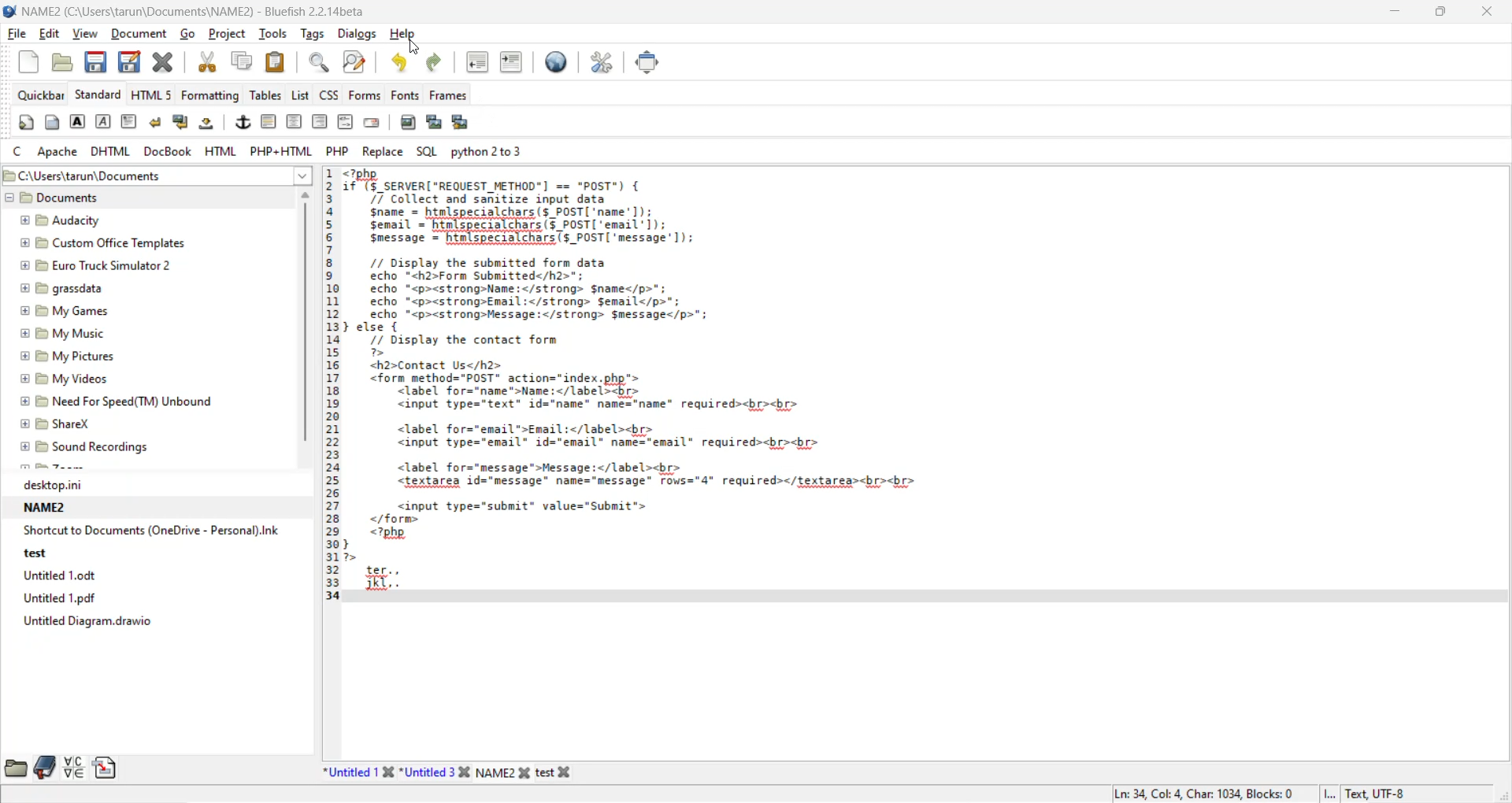  Describe the element at coordinates (128, 62) in the screenshot. I see `save as` at that location.